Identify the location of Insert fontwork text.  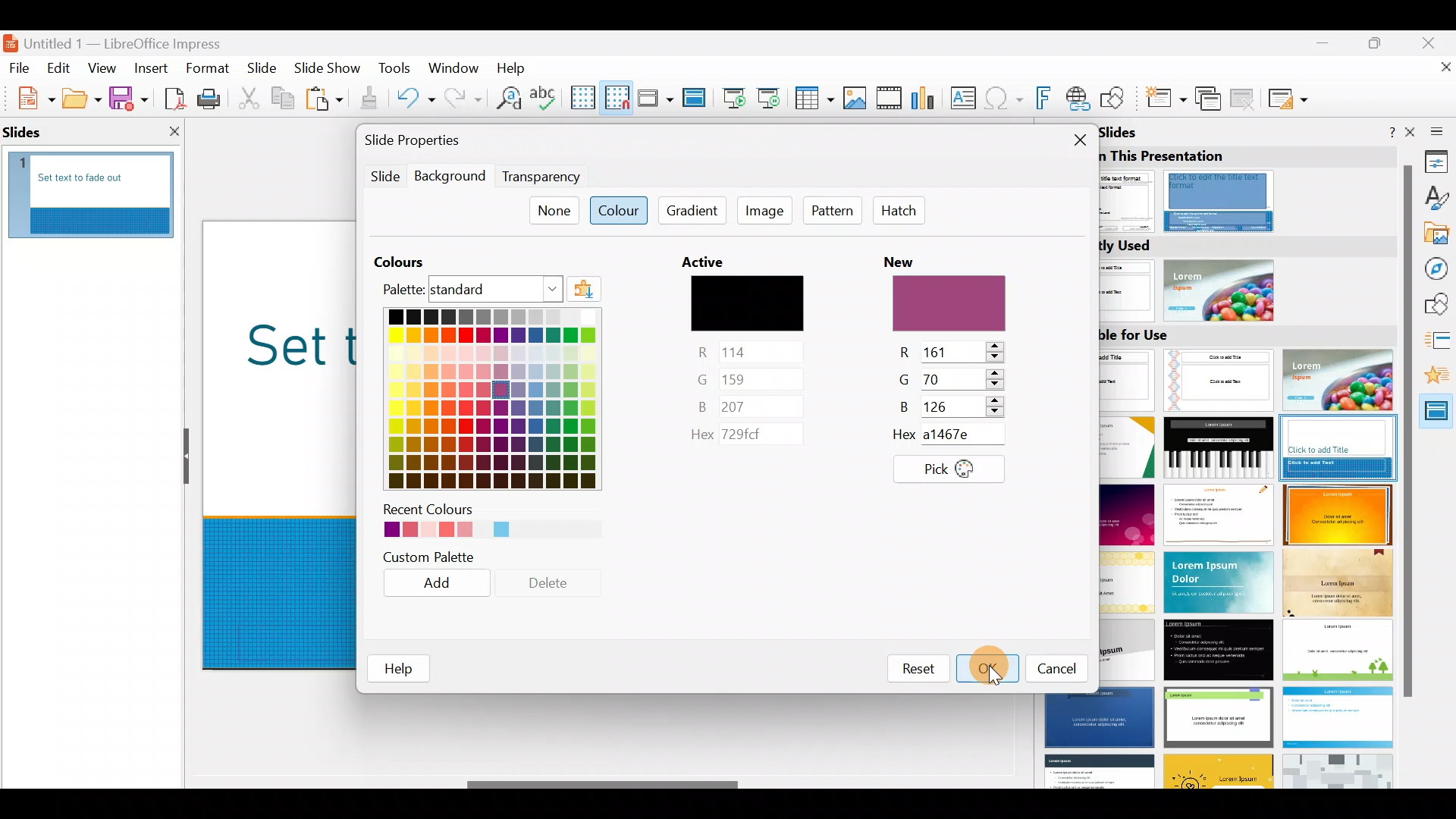
(1046, 101).